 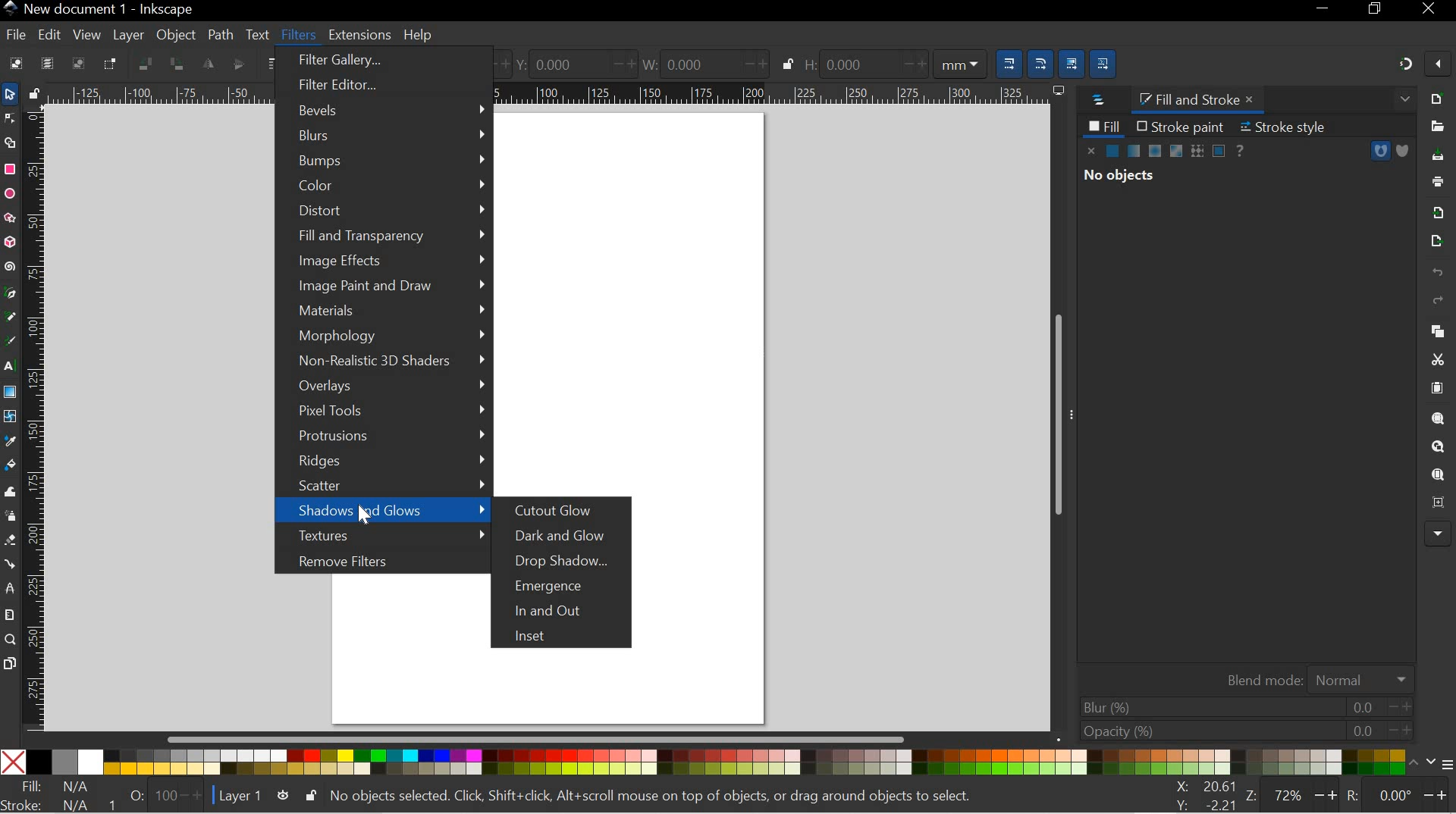 I want to click on SCATTER, so click(x=381, y=486).